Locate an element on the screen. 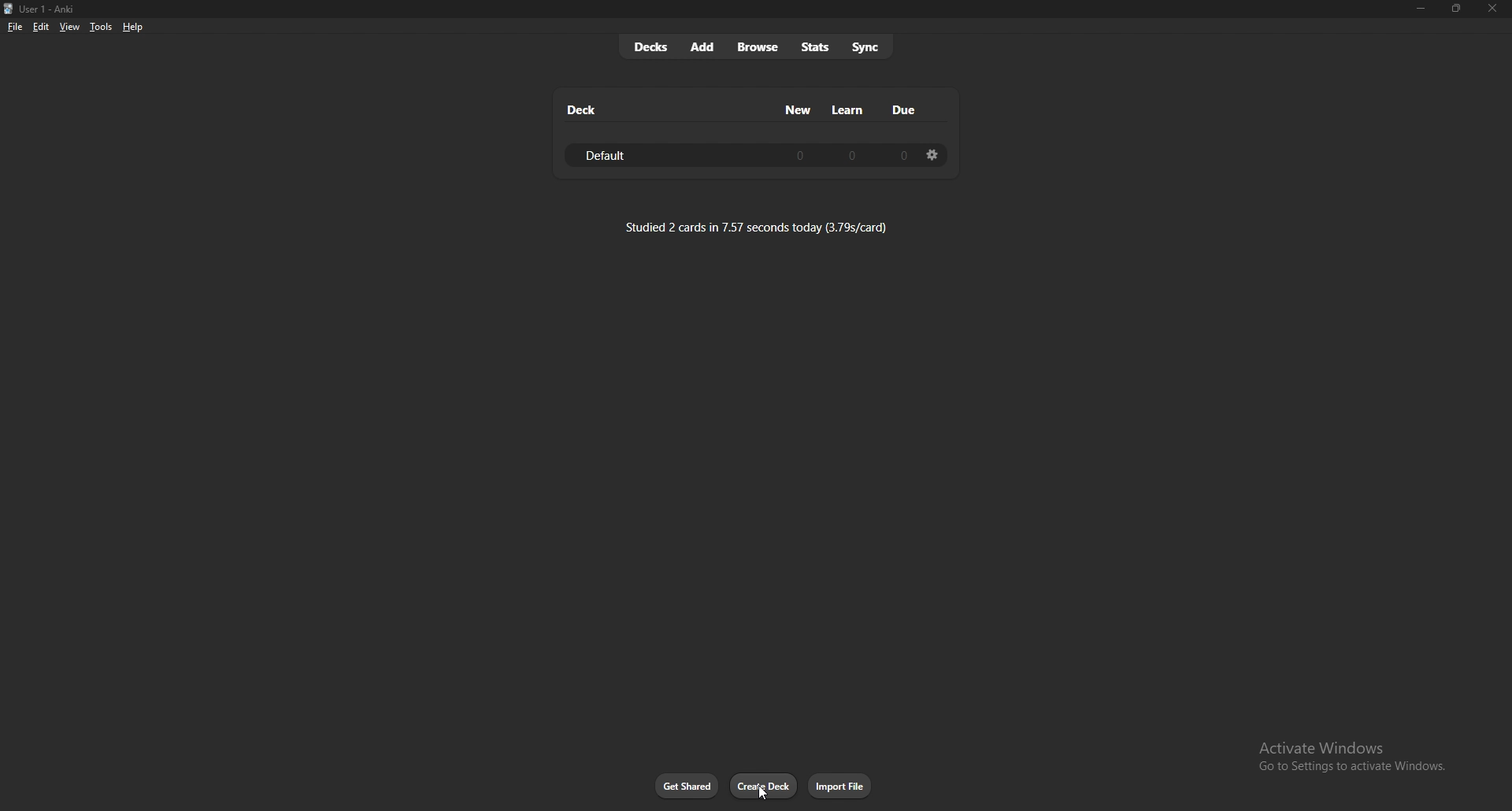 The height and width of the screenshot is (811, 1512). 0 is located at coordinates (902, 155).